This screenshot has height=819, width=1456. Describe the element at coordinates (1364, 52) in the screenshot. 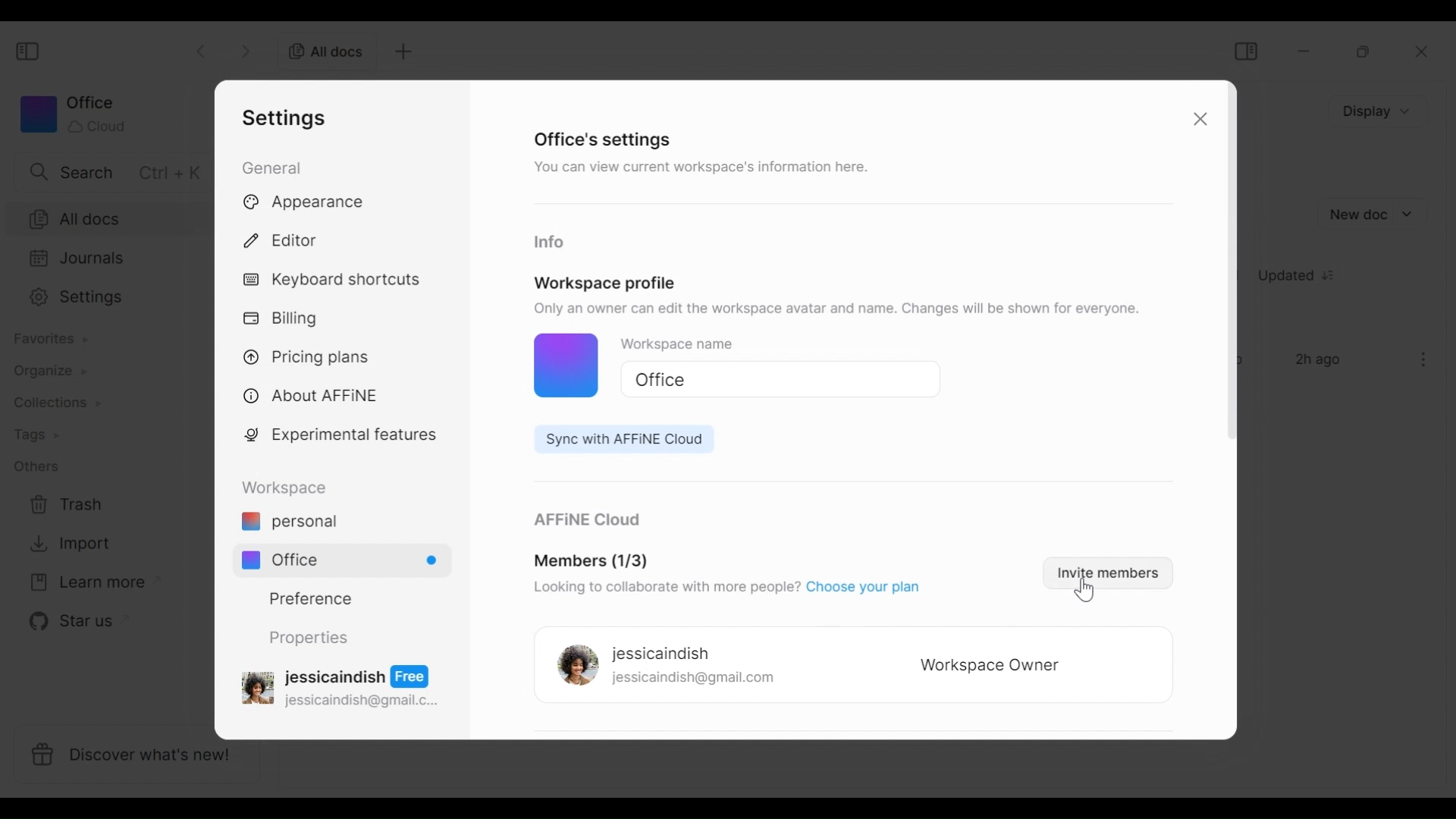

I see `restore` at that location.